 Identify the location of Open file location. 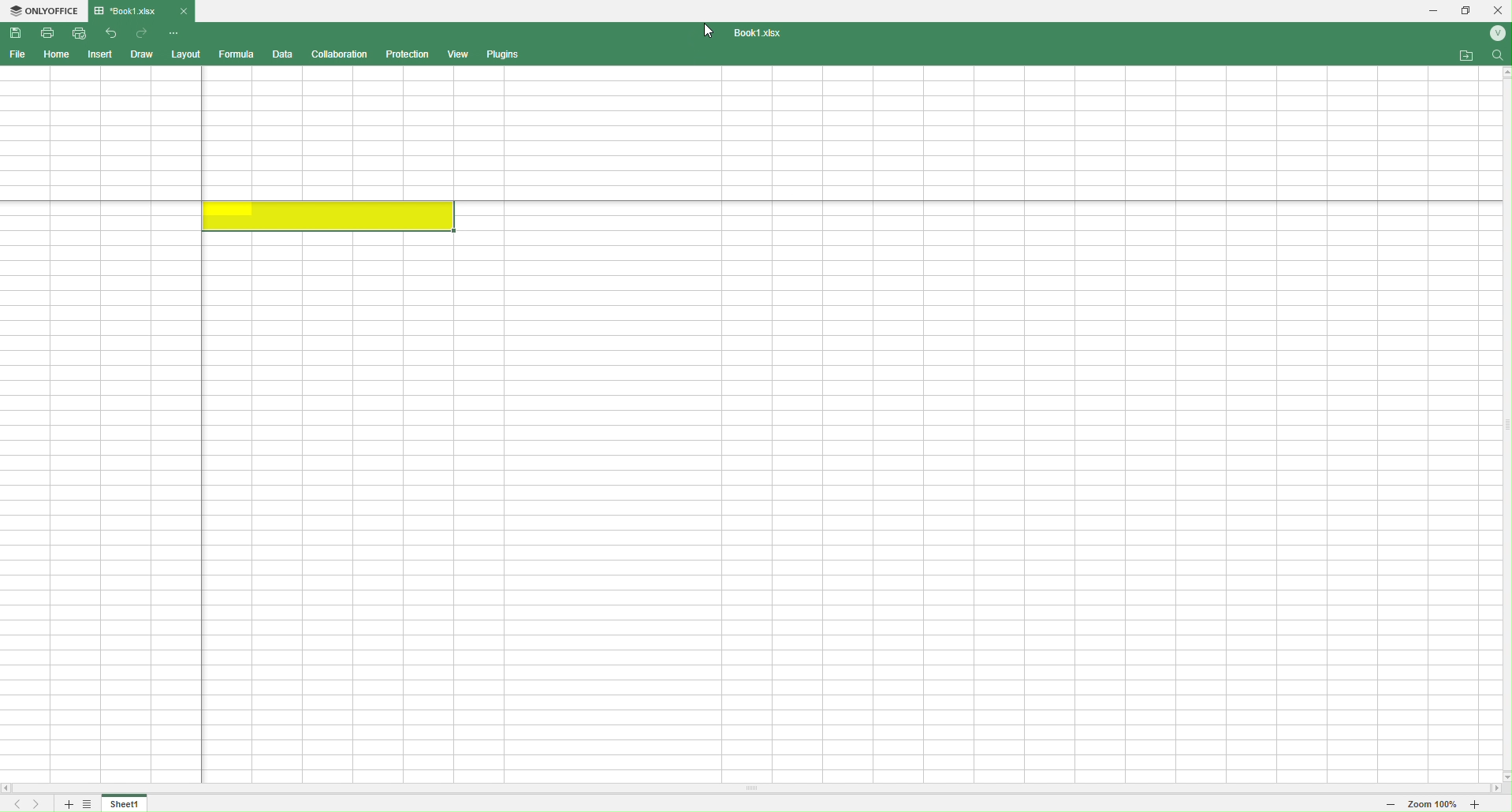
(1467, 55).